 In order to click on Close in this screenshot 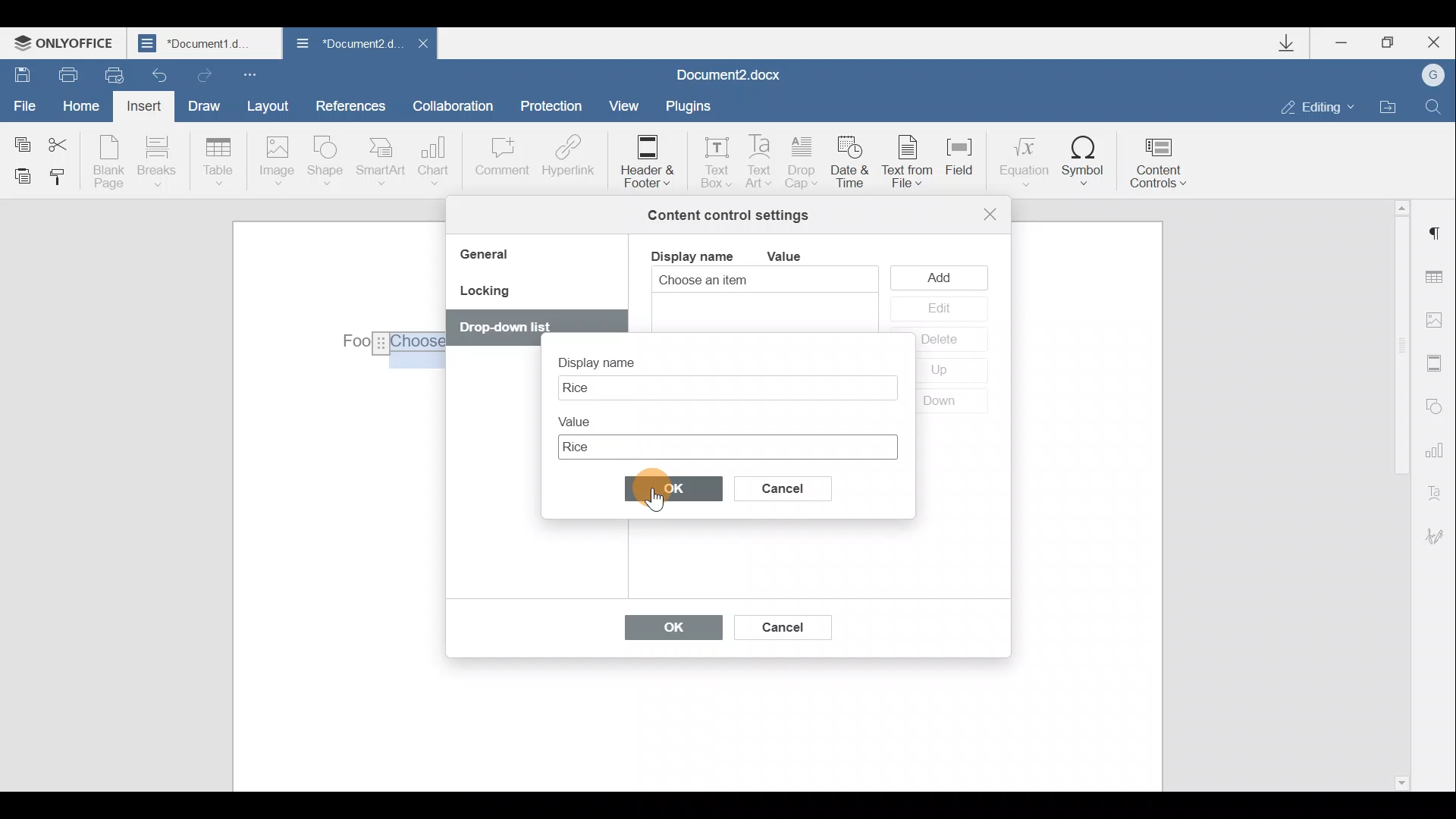, I will do `click(990, 214)`.